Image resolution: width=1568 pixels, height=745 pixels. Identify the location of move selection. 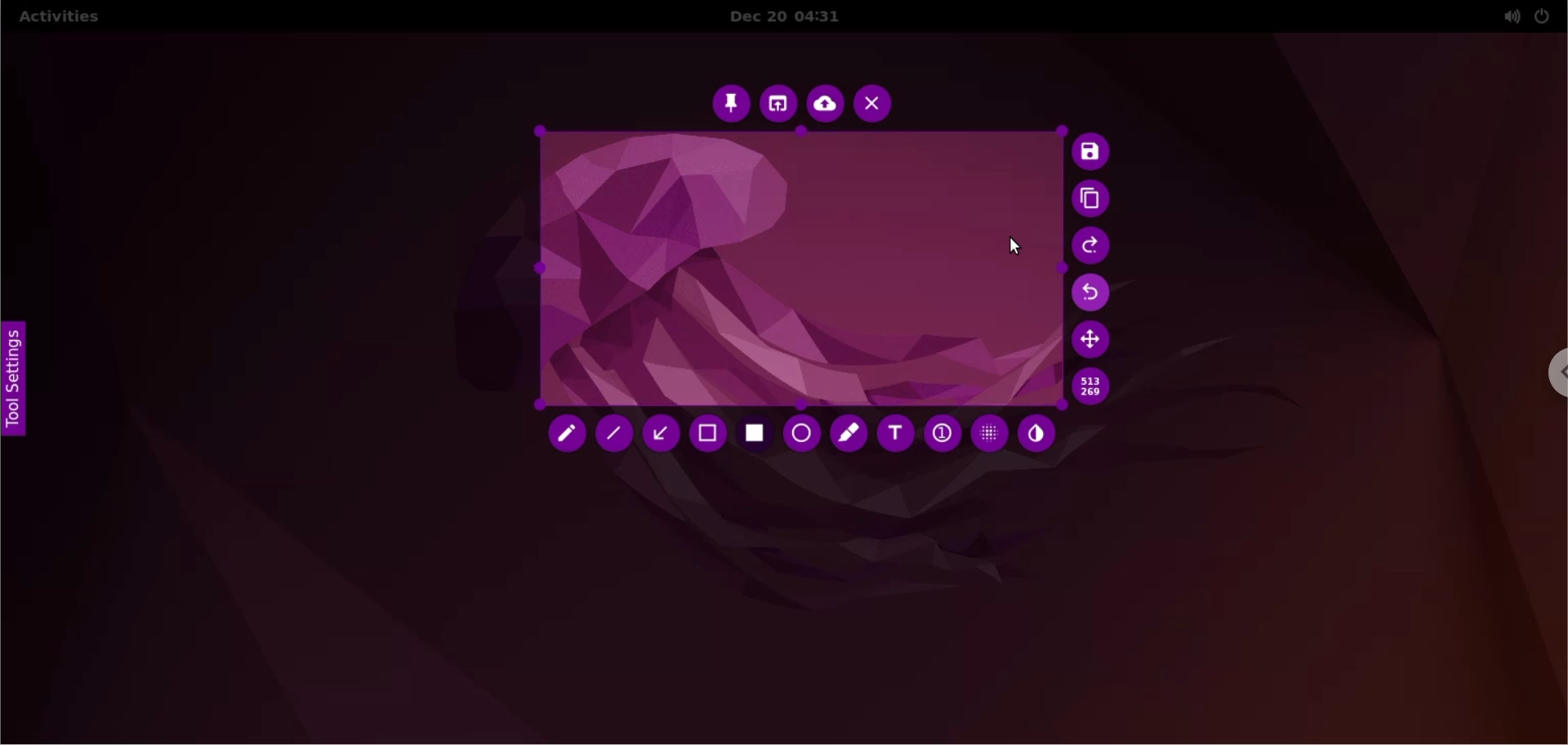
(1092, 340).